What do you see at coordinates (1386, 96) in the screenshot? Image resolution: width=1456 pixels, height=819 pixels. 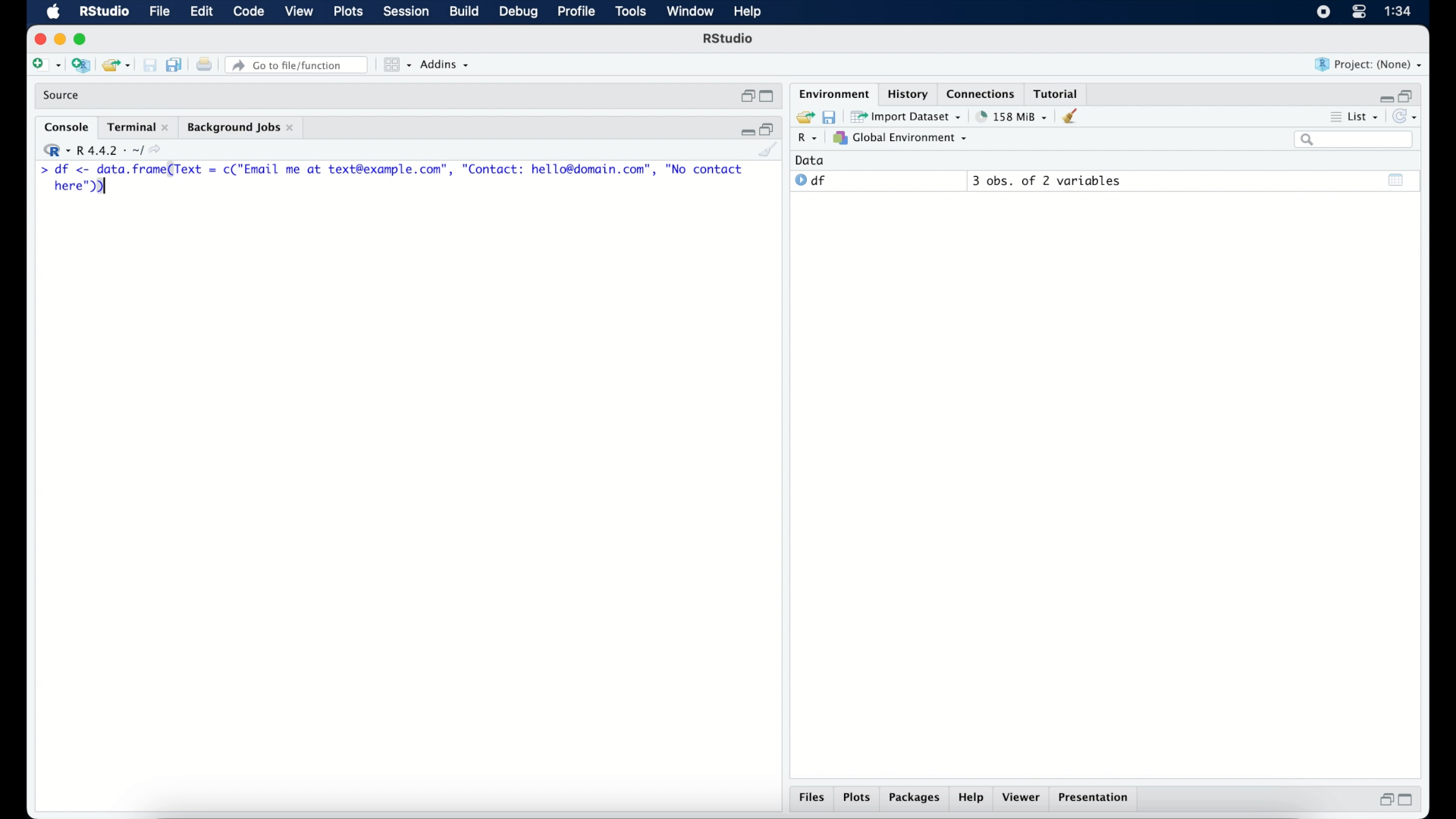 I see `minimize` at bounding box center [1386, 96].